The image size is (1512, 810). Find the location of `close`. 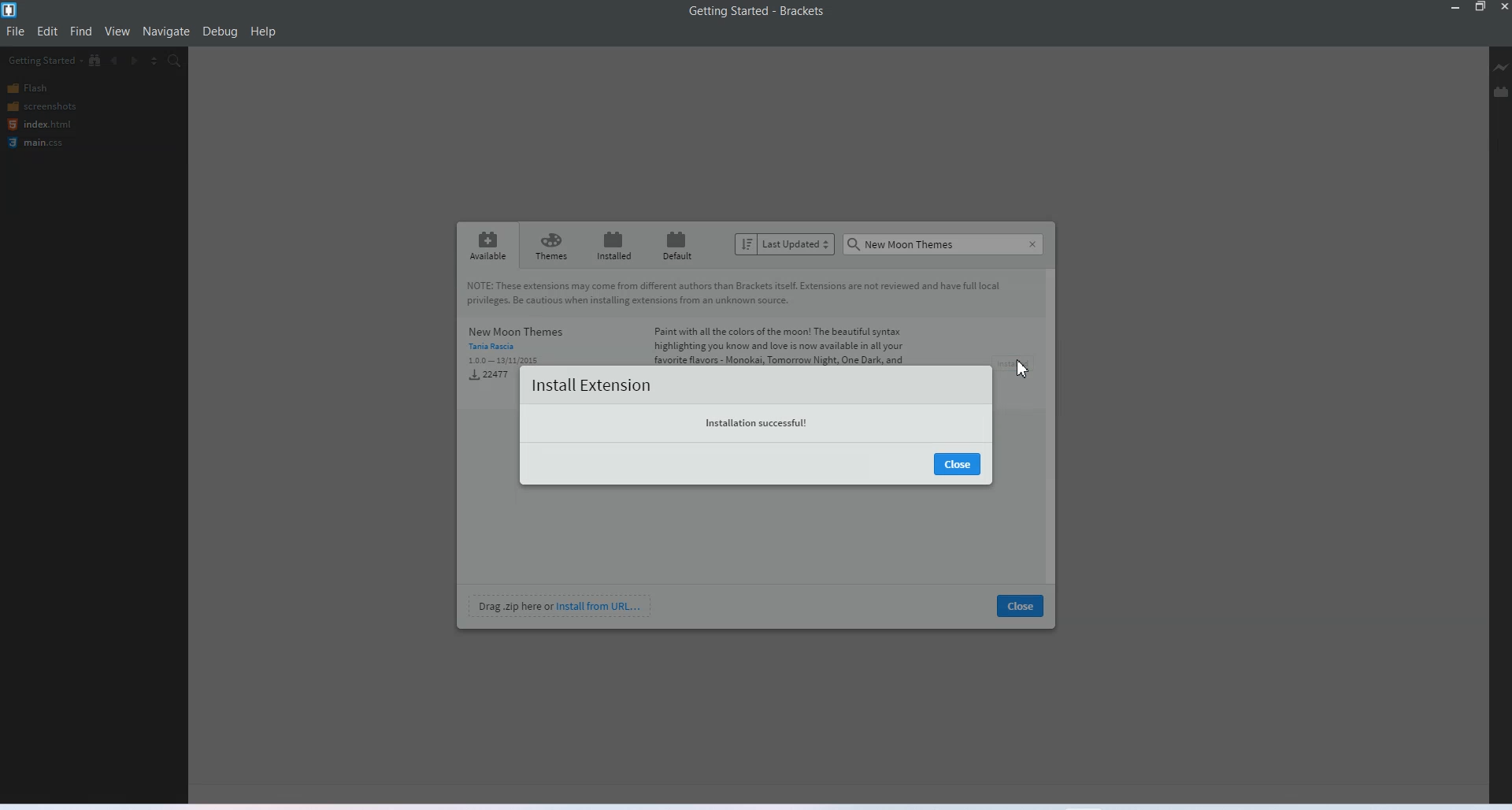

close is located at coordinates (1019, 605).